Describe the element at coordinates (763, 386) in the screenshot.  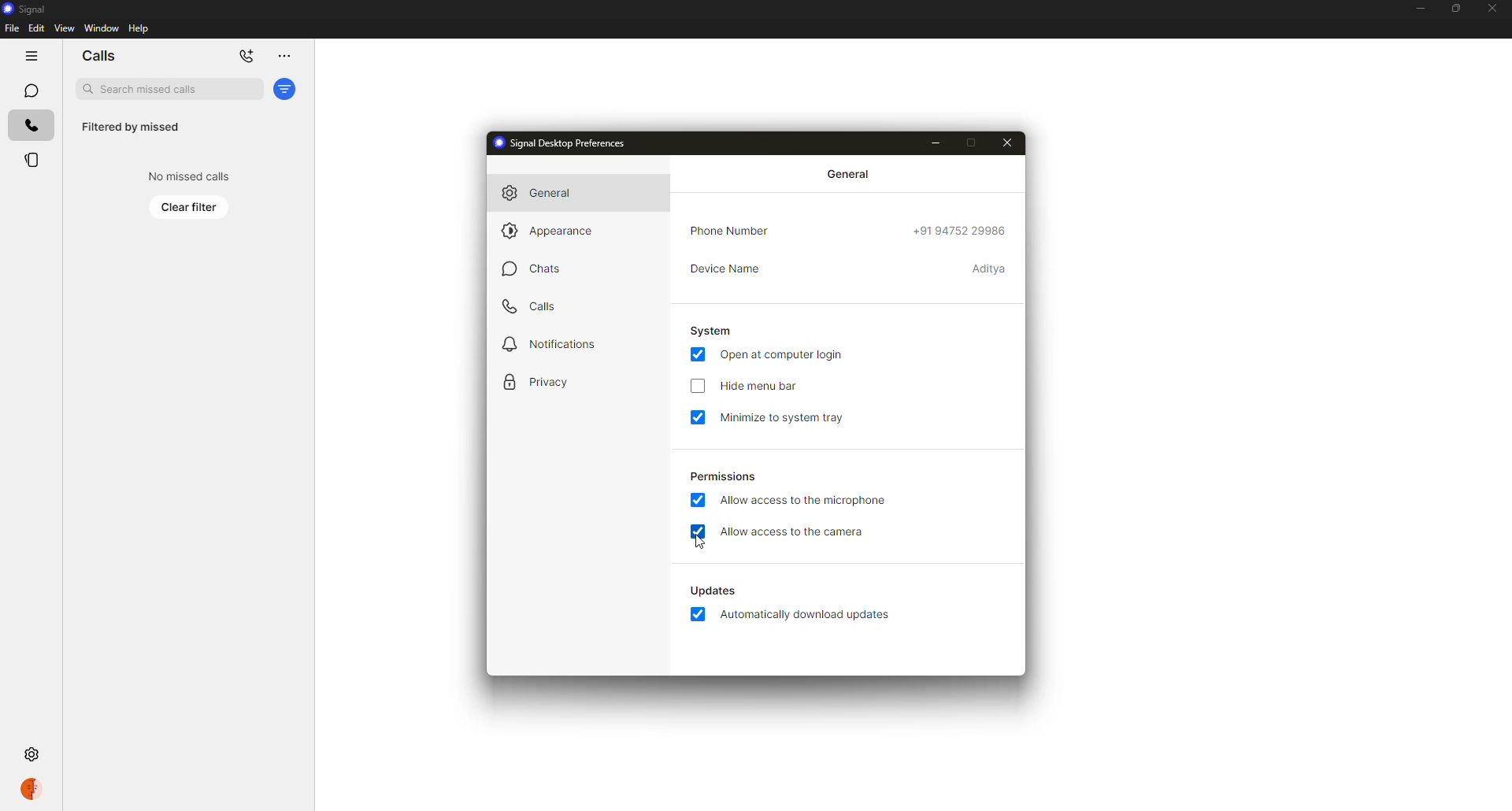
I see `hide menu bar` at that location.